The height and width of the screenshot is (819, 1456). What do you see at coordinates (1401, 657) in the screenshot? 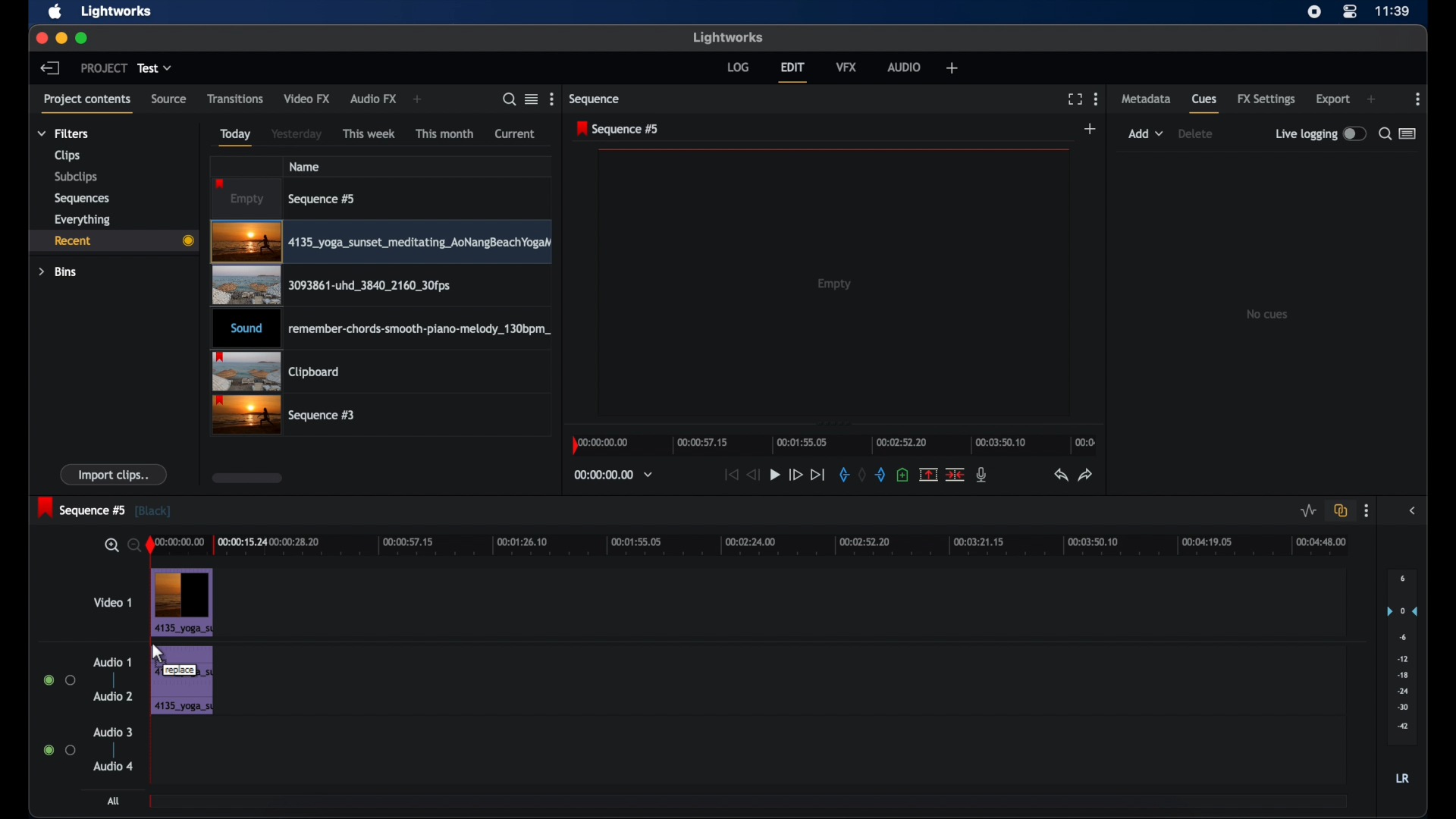
I see `set audio output levels` at bounding box center [1401, 657].